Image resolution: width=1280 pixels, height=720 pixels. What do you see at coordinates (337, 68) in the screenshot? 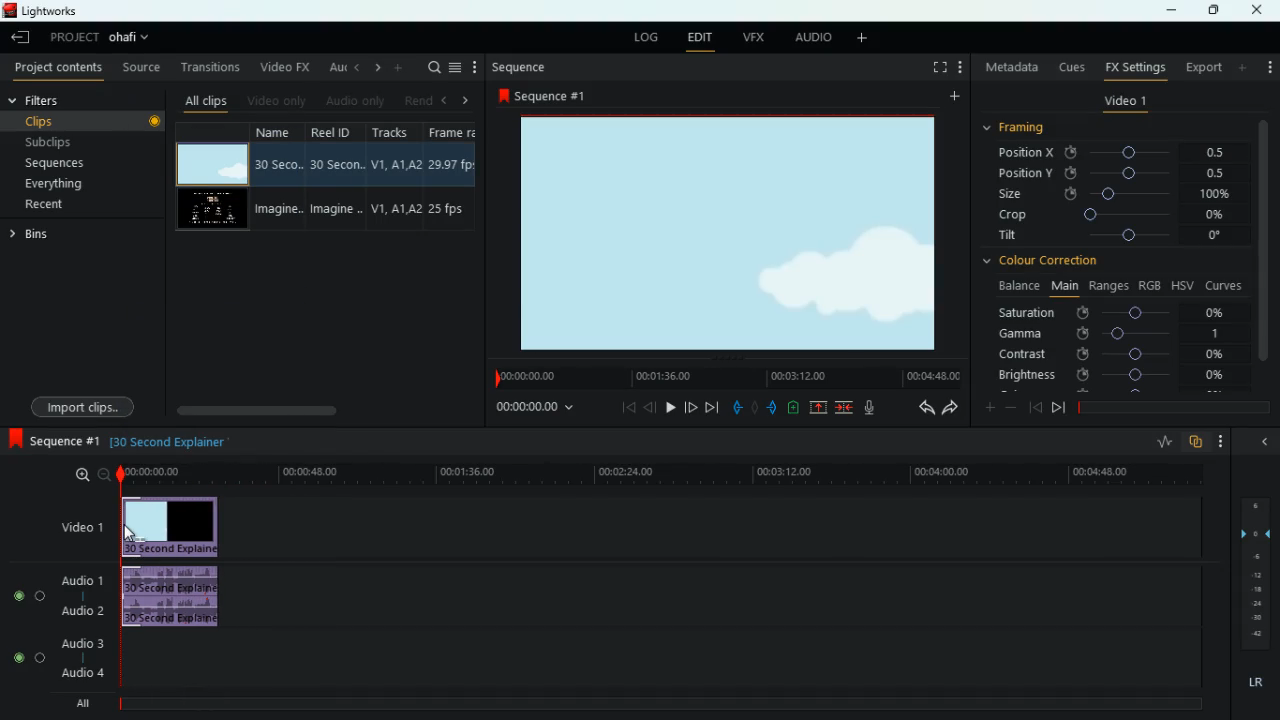
I see `au` at bounding box center [337, 68].